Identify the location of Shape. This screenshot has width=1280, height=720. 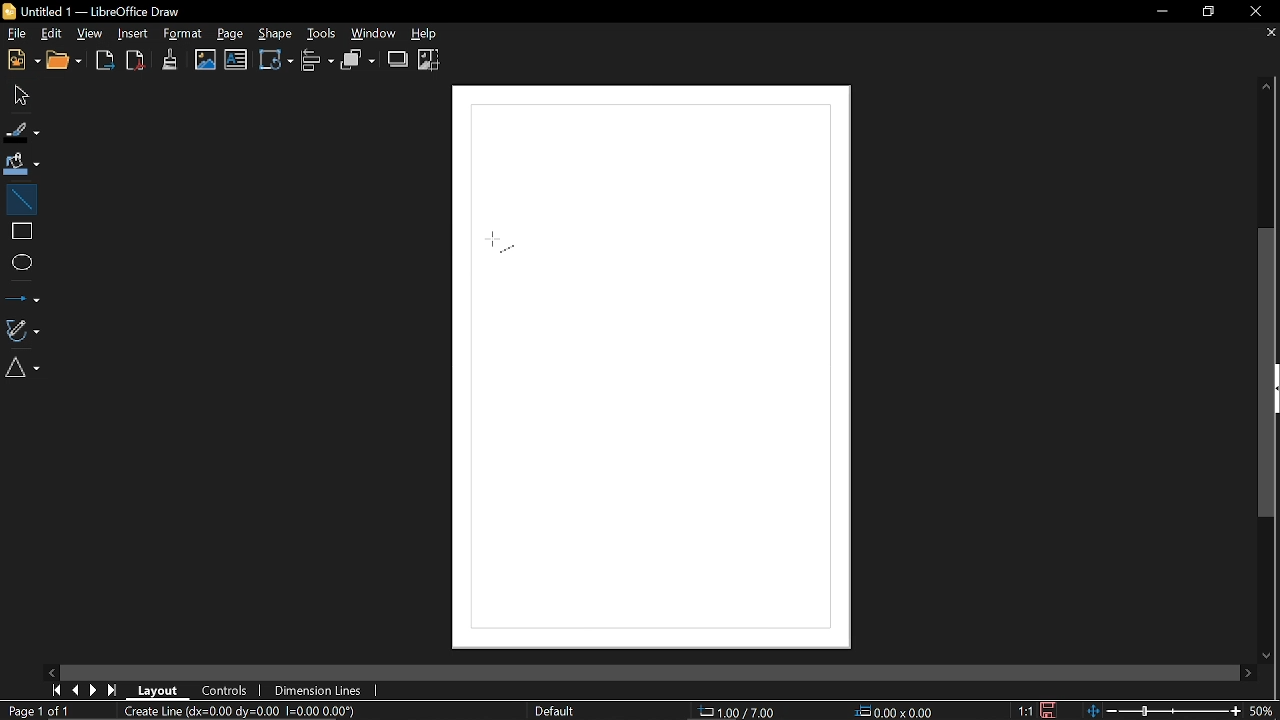
(274, 34).